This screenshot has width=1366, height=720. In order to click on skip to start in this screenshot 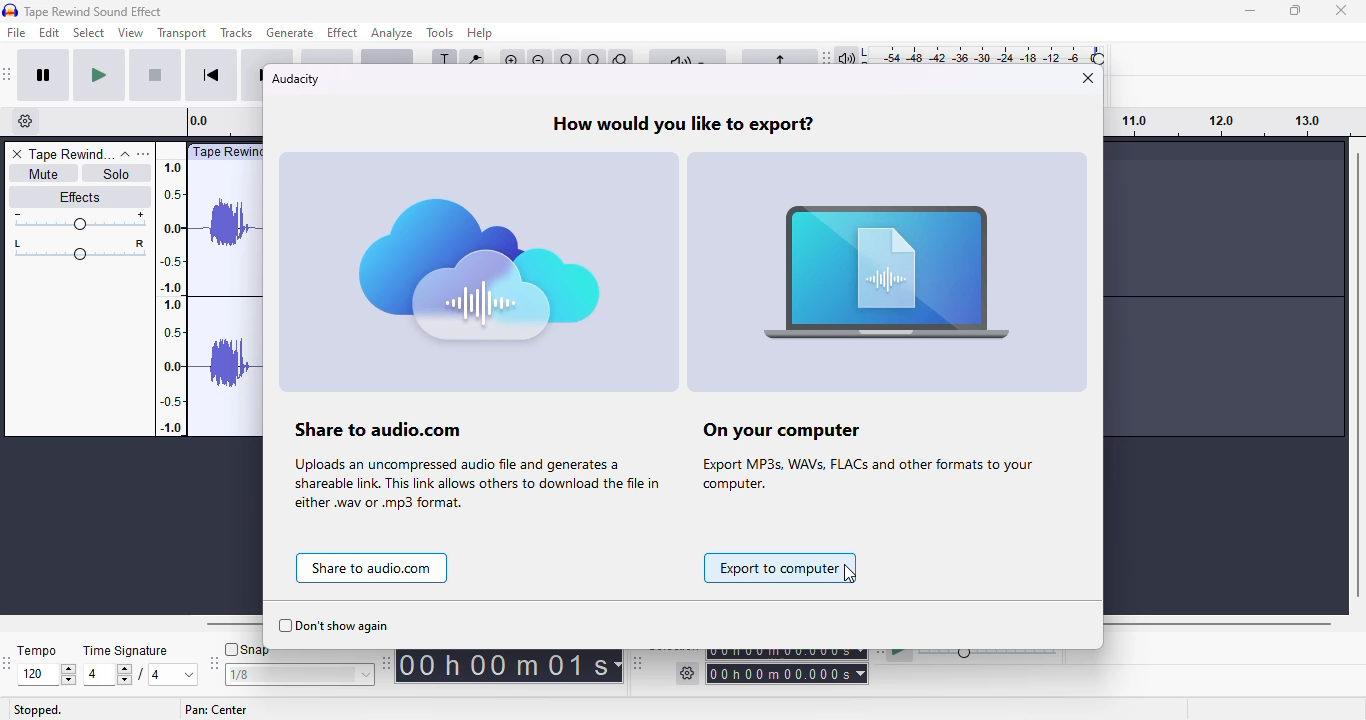, I will do `click(213, 75)`.